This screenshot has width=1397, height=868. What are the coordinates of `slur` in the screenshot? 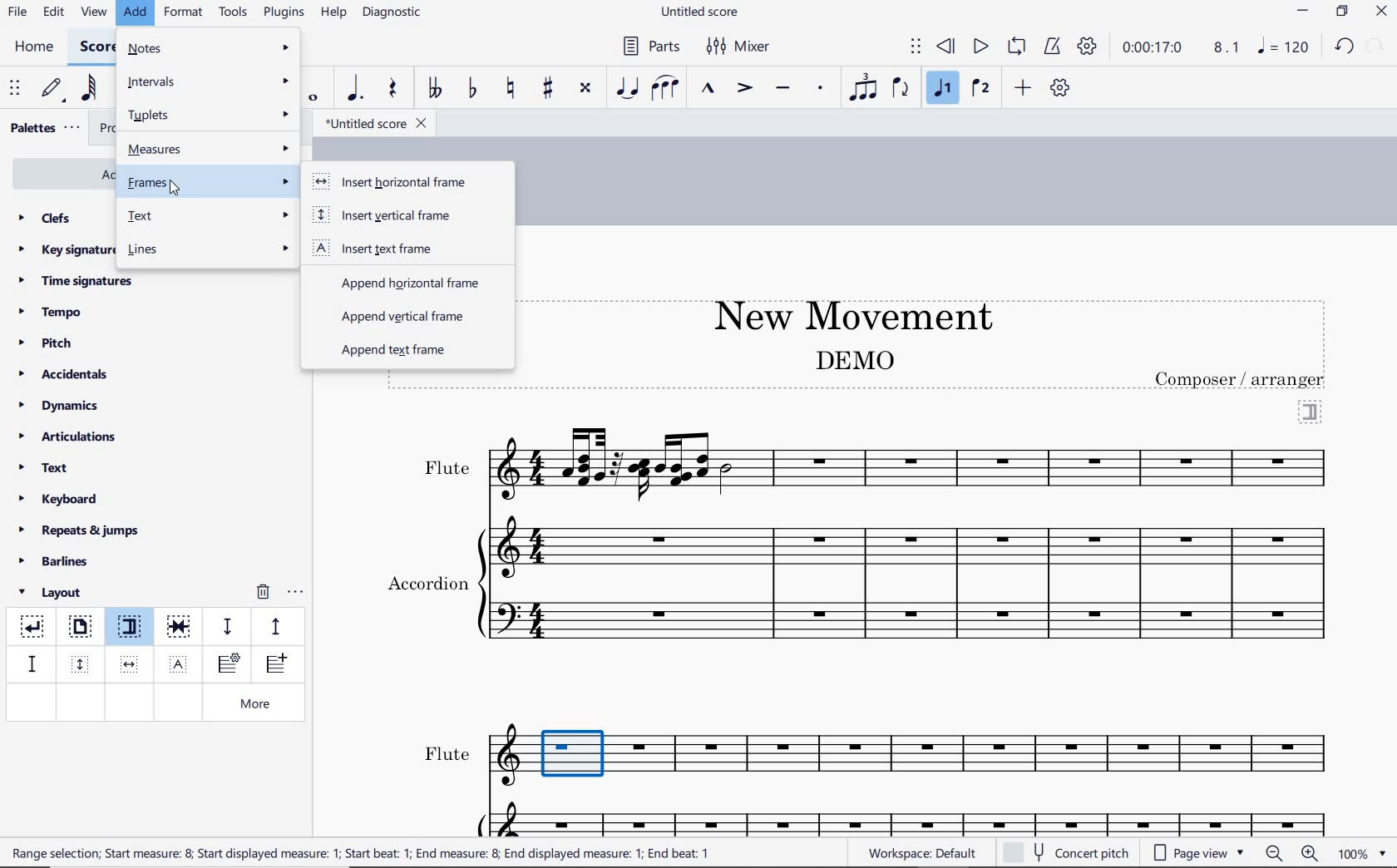 It's located at (666, 89).